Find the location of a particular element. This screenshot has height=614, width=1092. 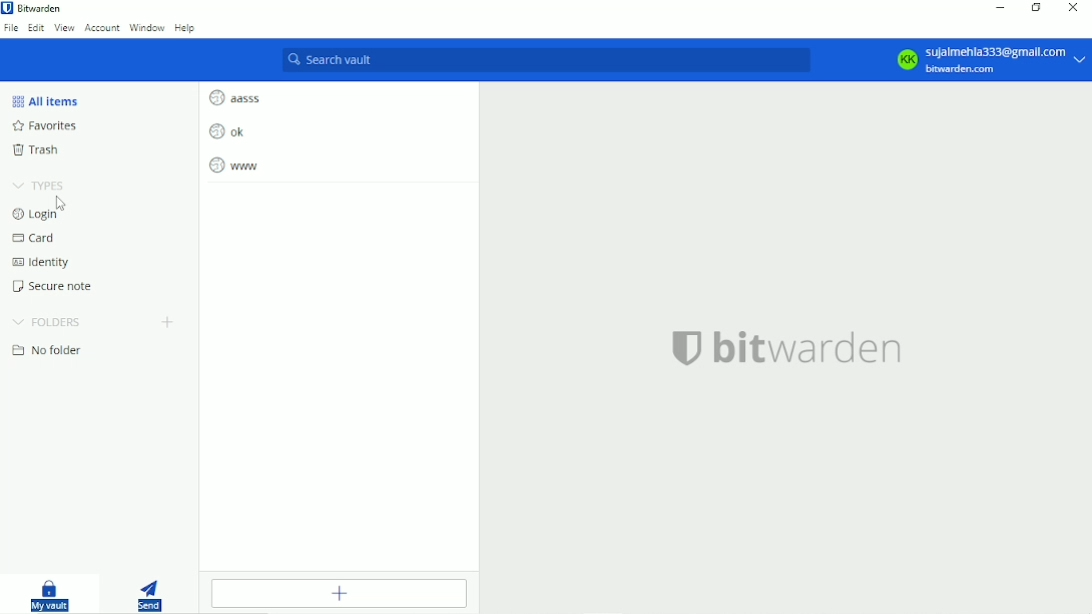

Account is located at coordinates (984, 60).